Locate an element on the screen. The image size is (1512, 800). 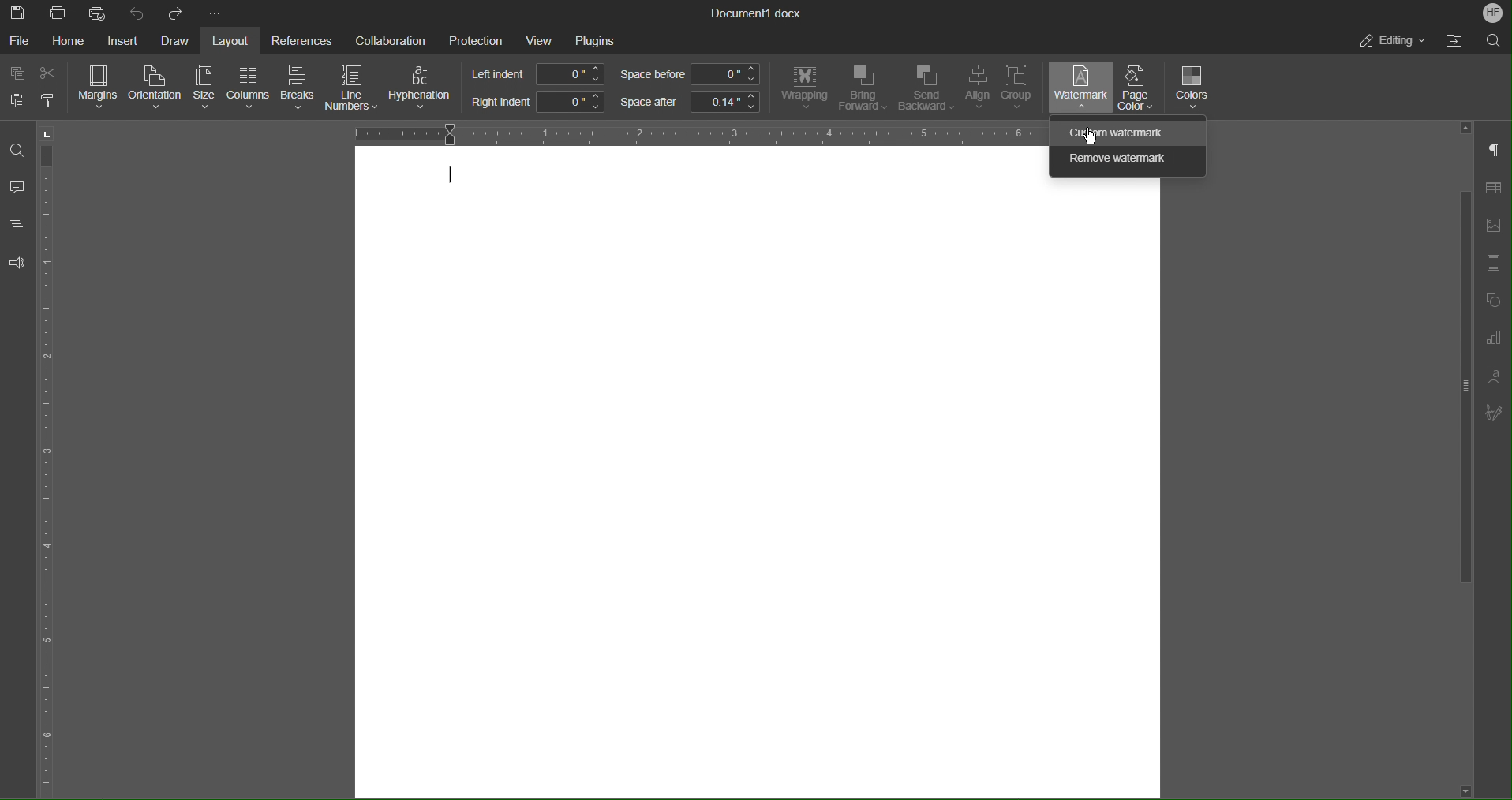
Hyphenation is located at coordinates (423, 88).